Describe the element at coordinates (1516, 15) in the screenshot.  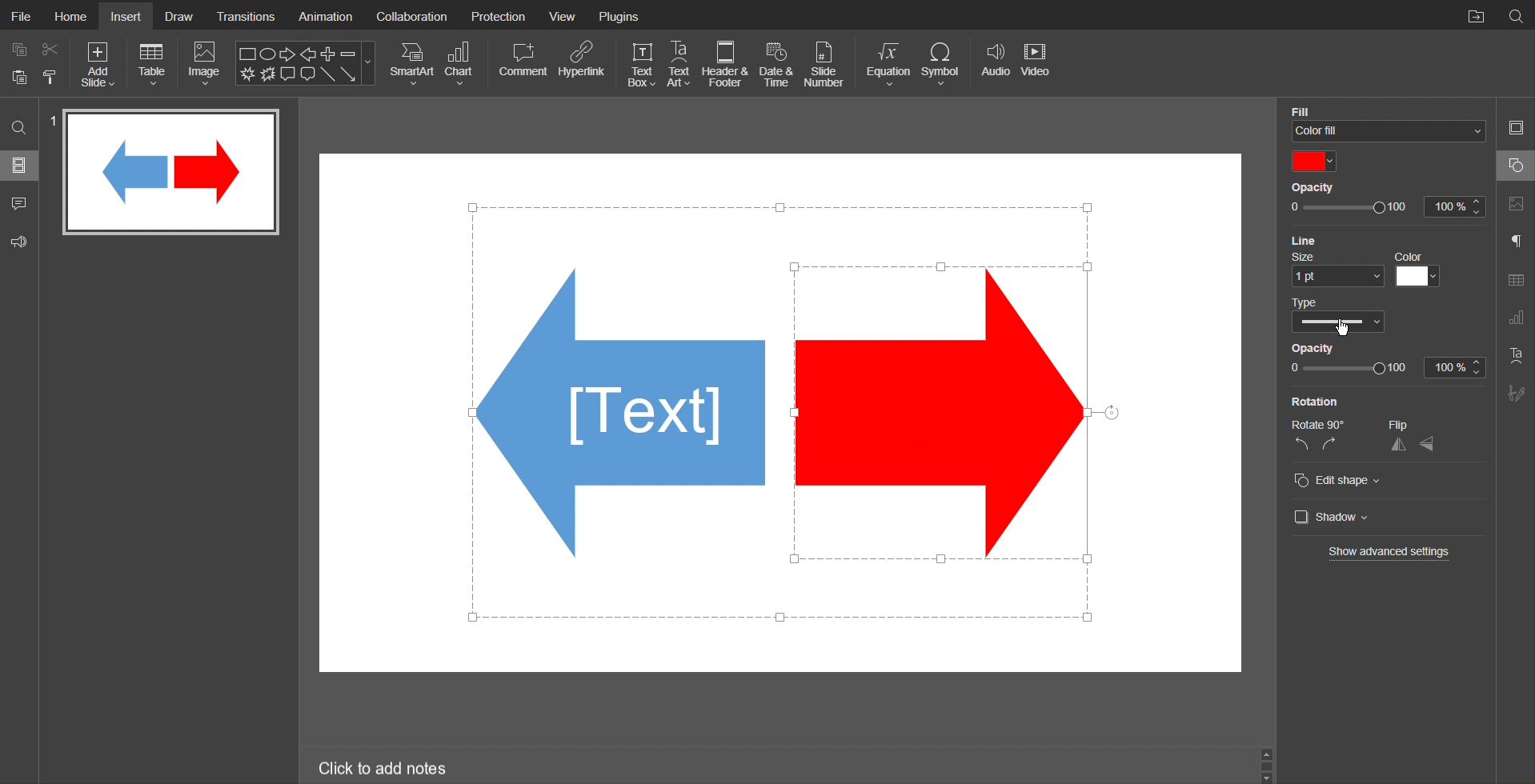
I see `Search` at that location.